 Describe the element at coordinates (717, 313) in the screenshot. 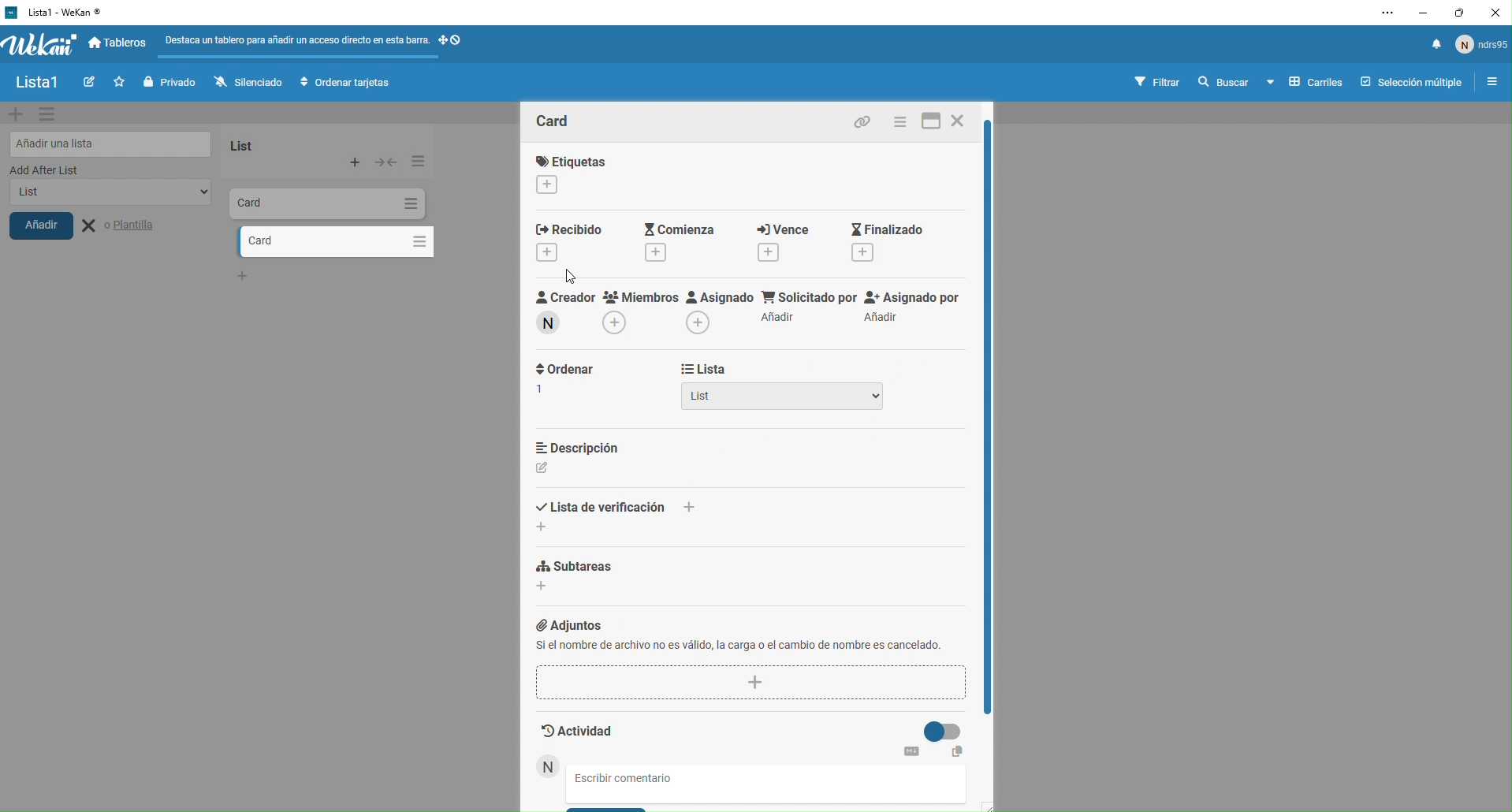

I see `asignado` at that location.